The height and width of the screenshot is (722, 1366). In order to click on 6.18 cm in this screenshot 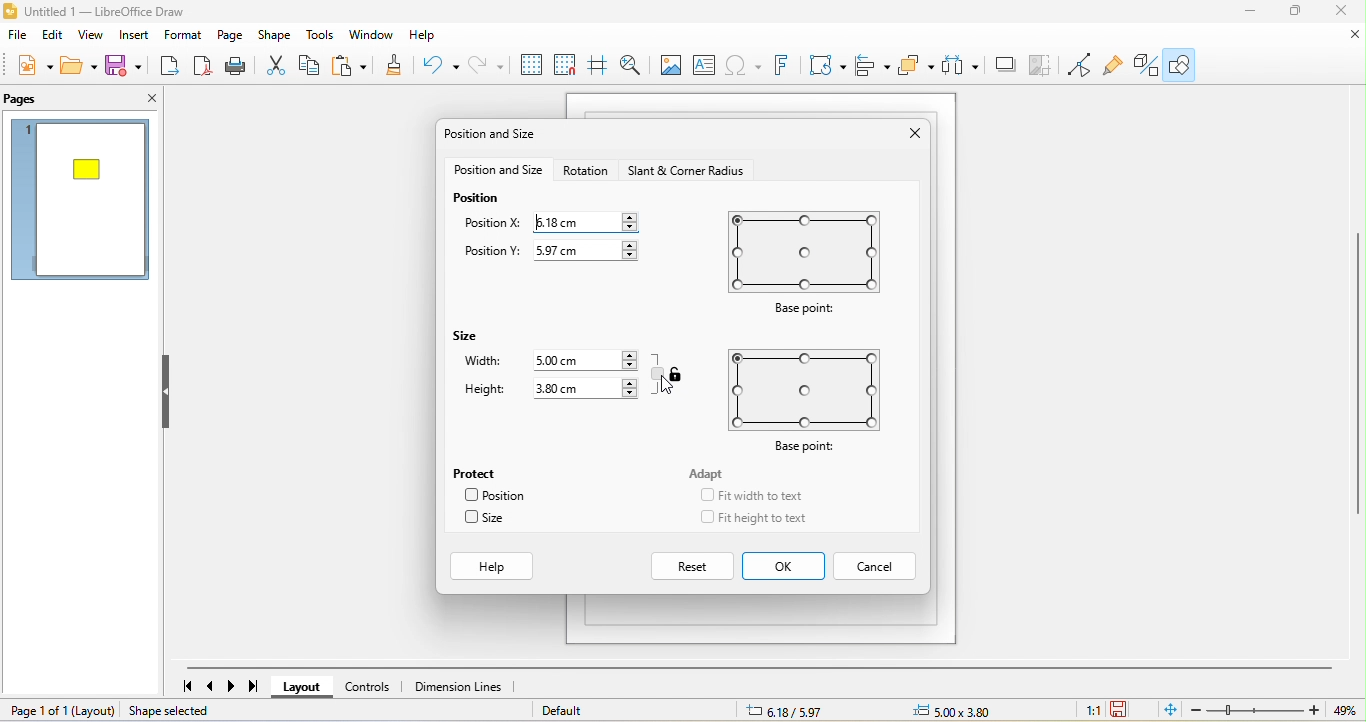, I will do `click(591, 222)`.